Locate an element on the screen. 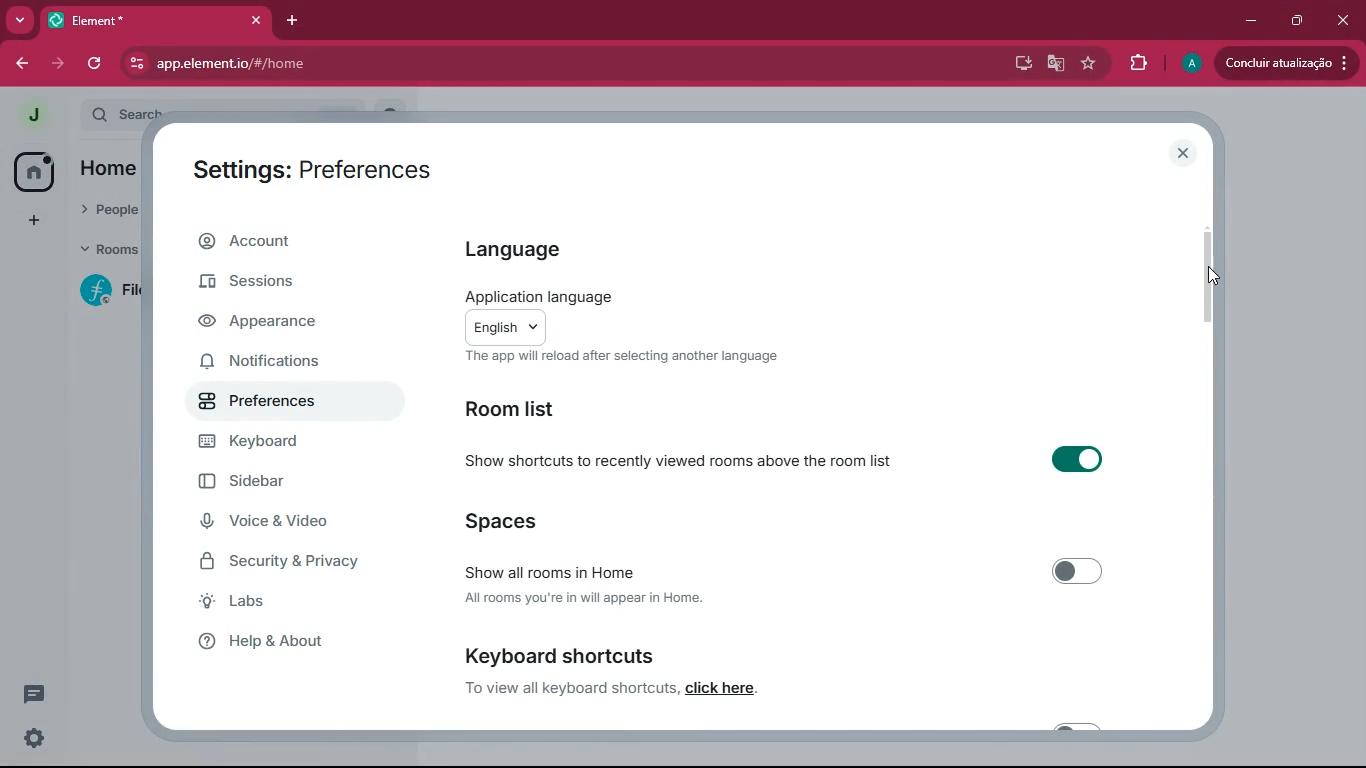 The height and width of the screenshot is (768, 1366). favourite is located at coordinates (1093, 66).